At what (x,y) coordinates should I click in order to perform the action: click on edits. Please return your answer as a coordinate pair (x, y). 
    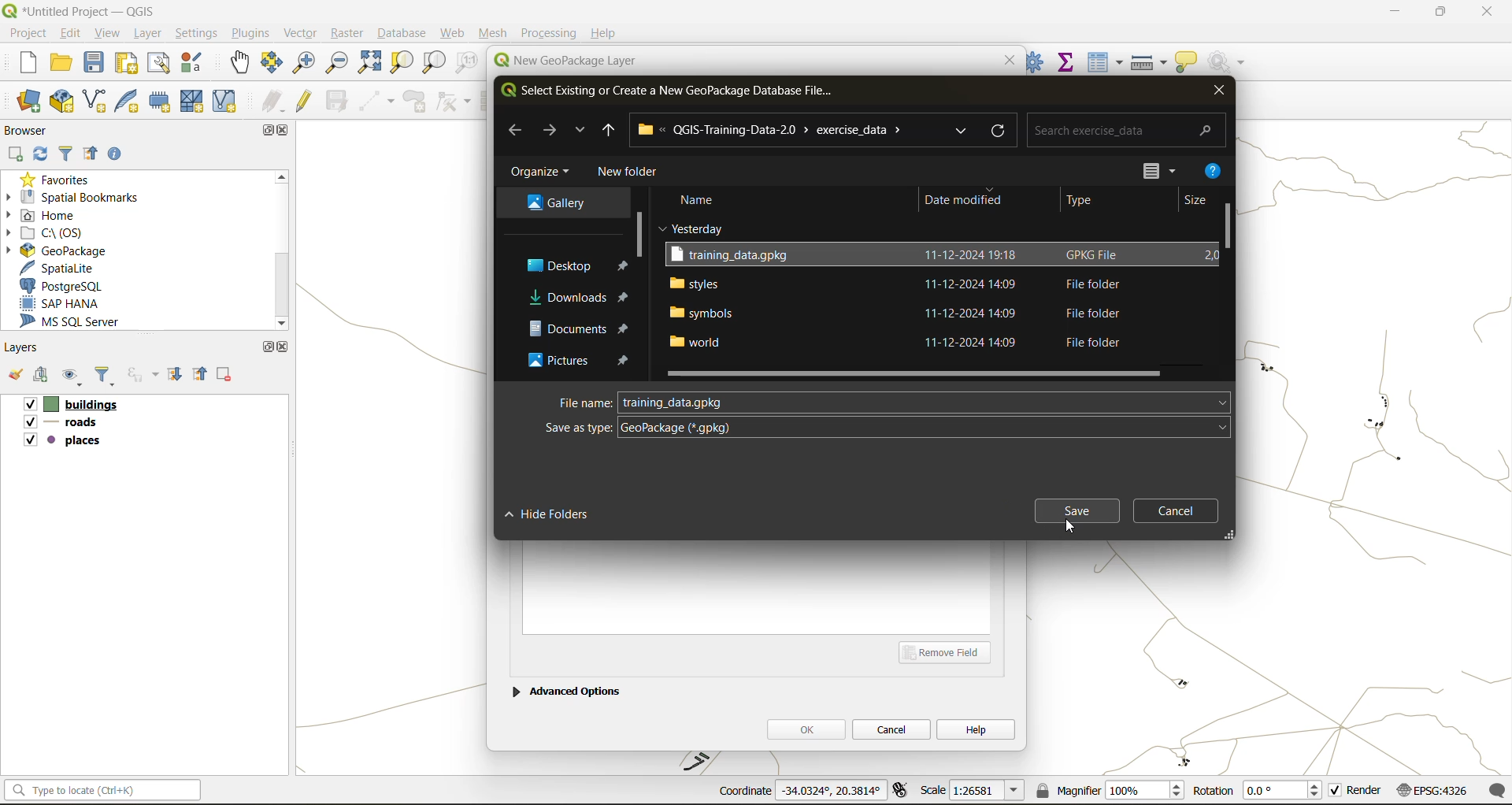
    Looking at the image, I should click on (273, 102).